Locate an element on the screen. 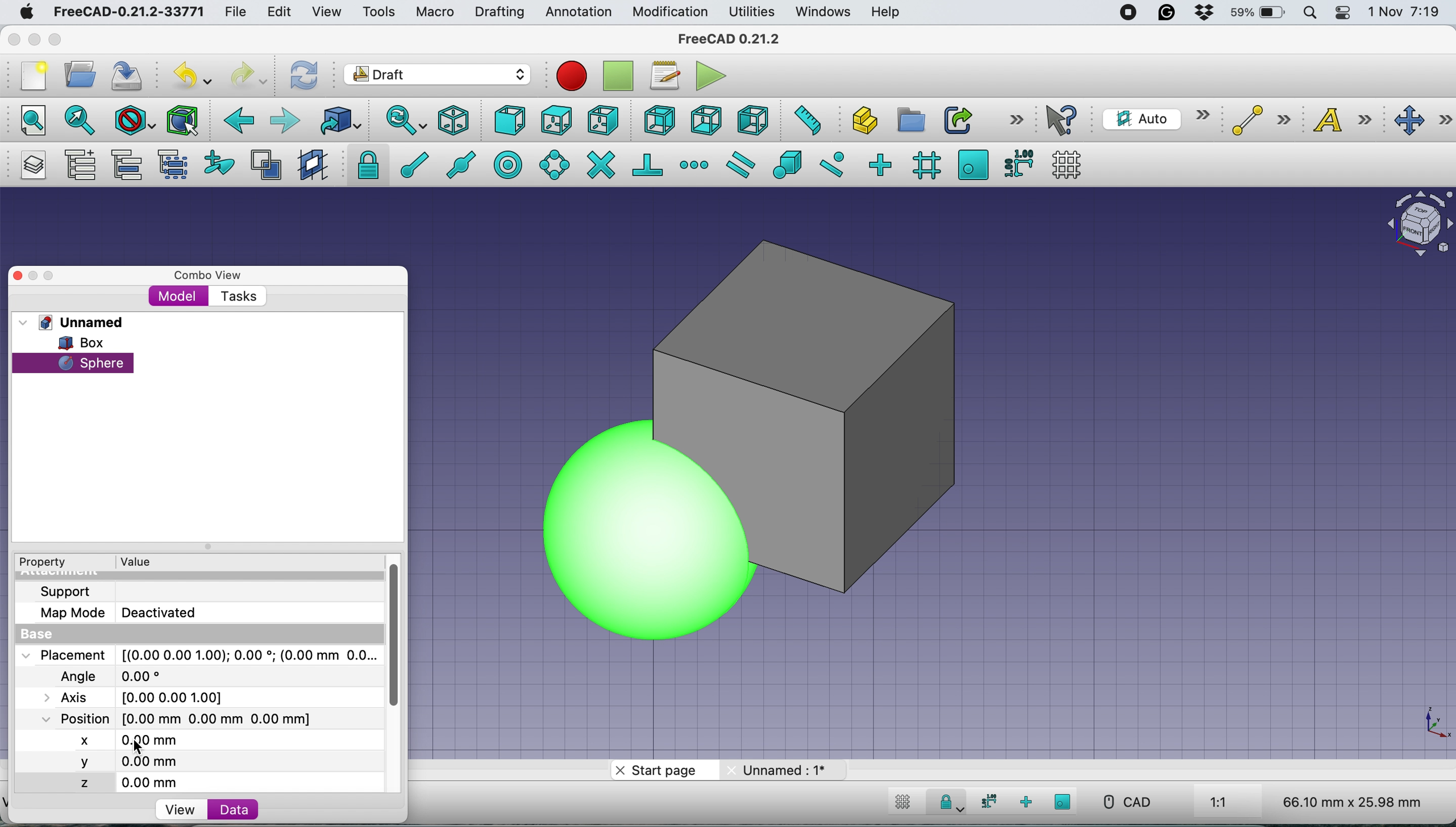 Image resolution: width=1456 pixels, height=827 pixels. tools is located at coordinates (378, 13).